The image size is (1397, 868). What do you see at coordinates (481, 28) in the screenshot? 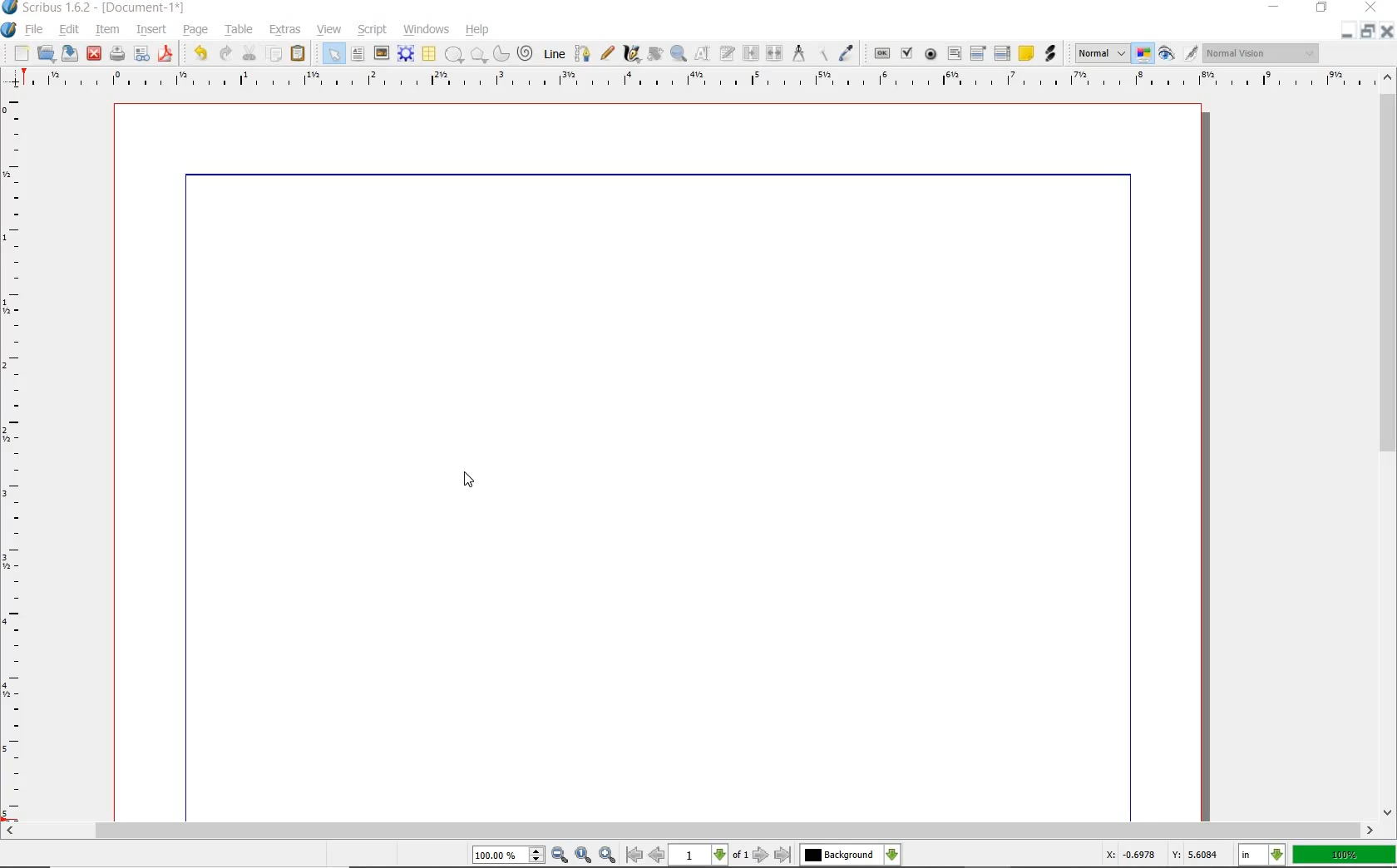
I see `HELP` at bounding box center [481, 28].